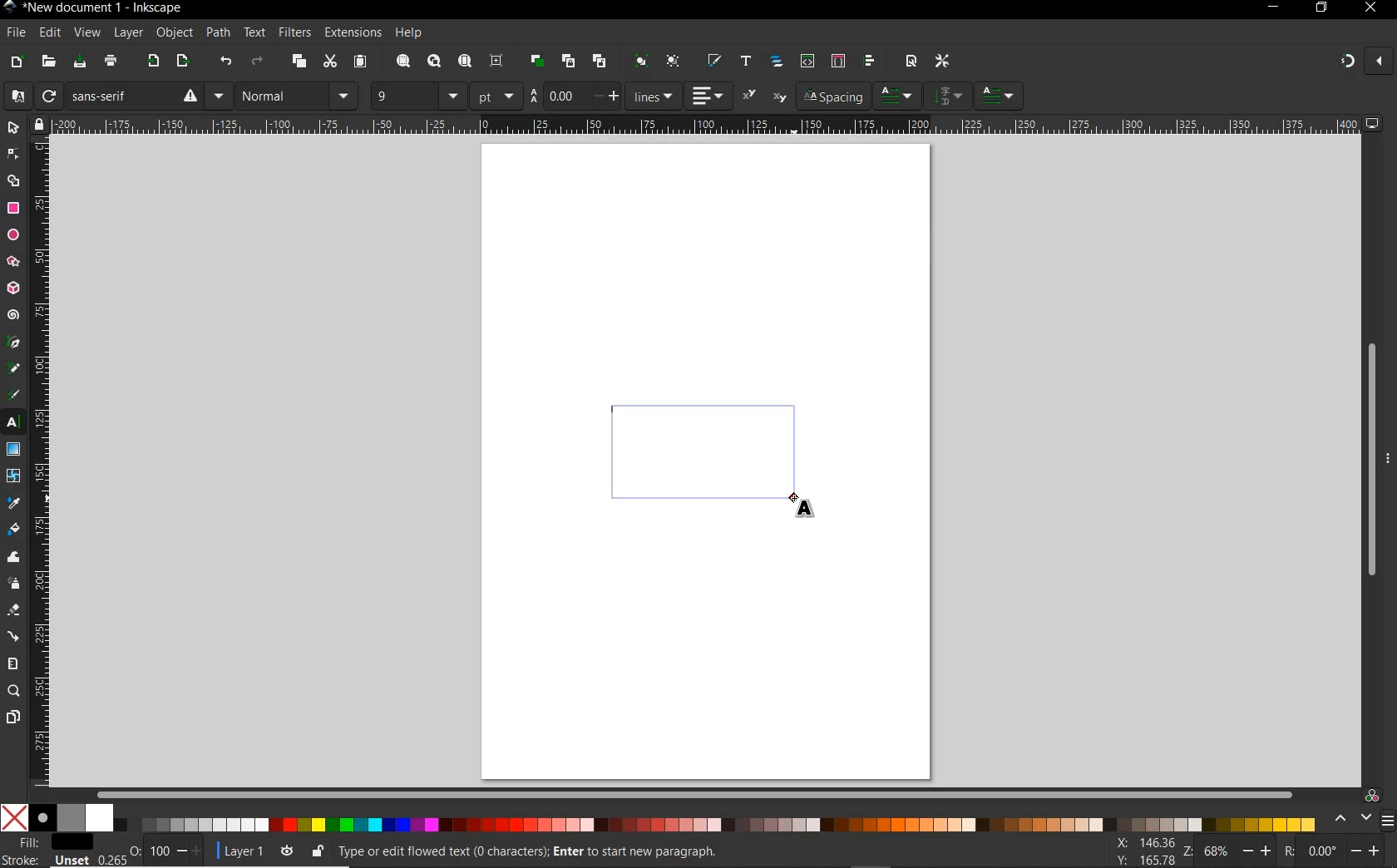 The height and width of the screenshot is (868, 1397). What do you see at coordinates (16, 395) in the screenshot?
I see `calligraphy tool` at bounding box center [16, 395].